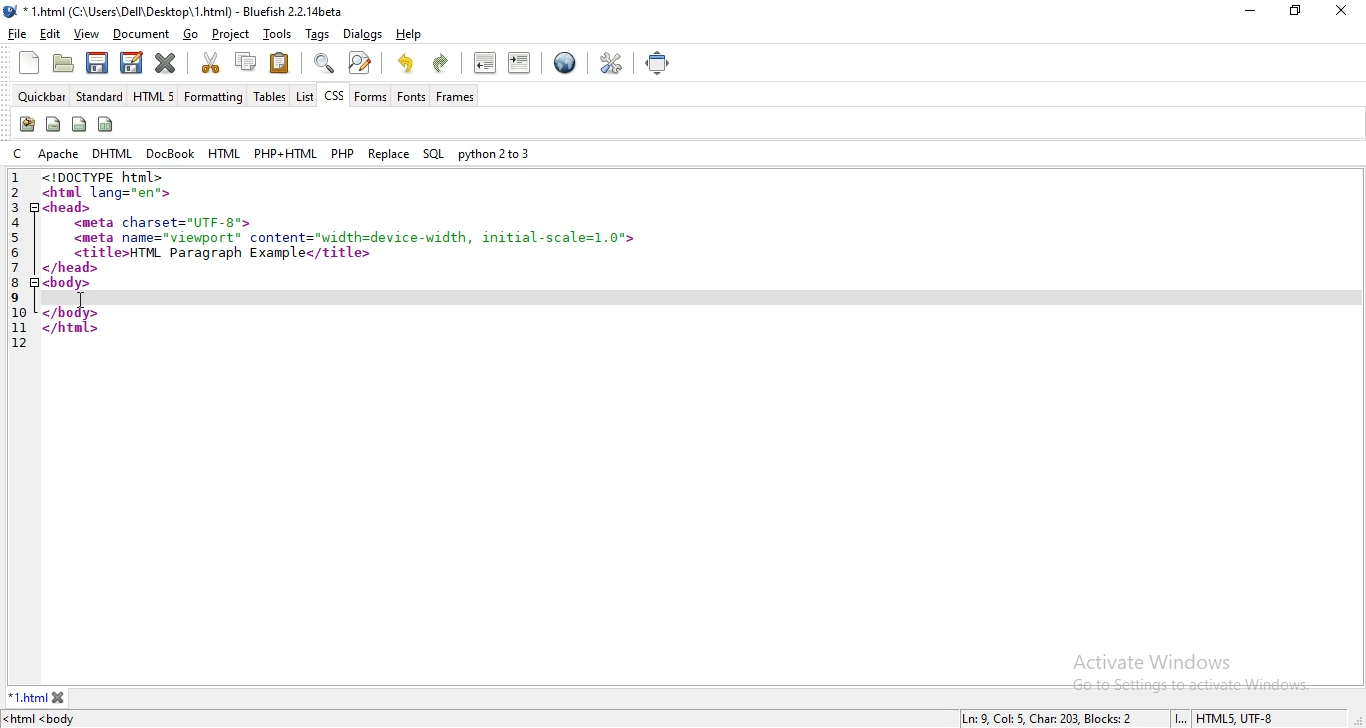 The image size is (1366, 728). What do you see at coordinates (42, 719) in the screenshot?
I see `<html <body` at bounding box center [42, 719].